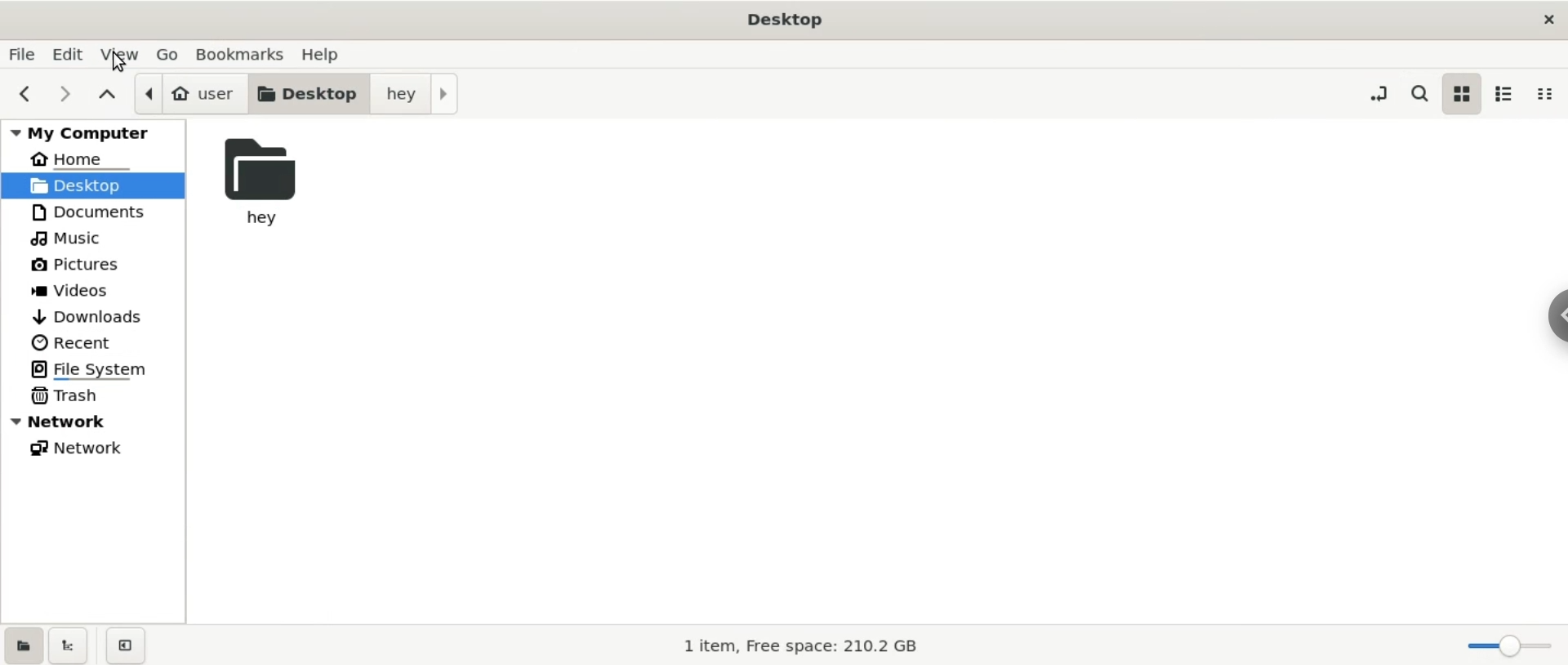 This screenshot has width=1568, height=665. Describe the element at coordinates (123, 56) in the screenshot. I see `view` at that location.